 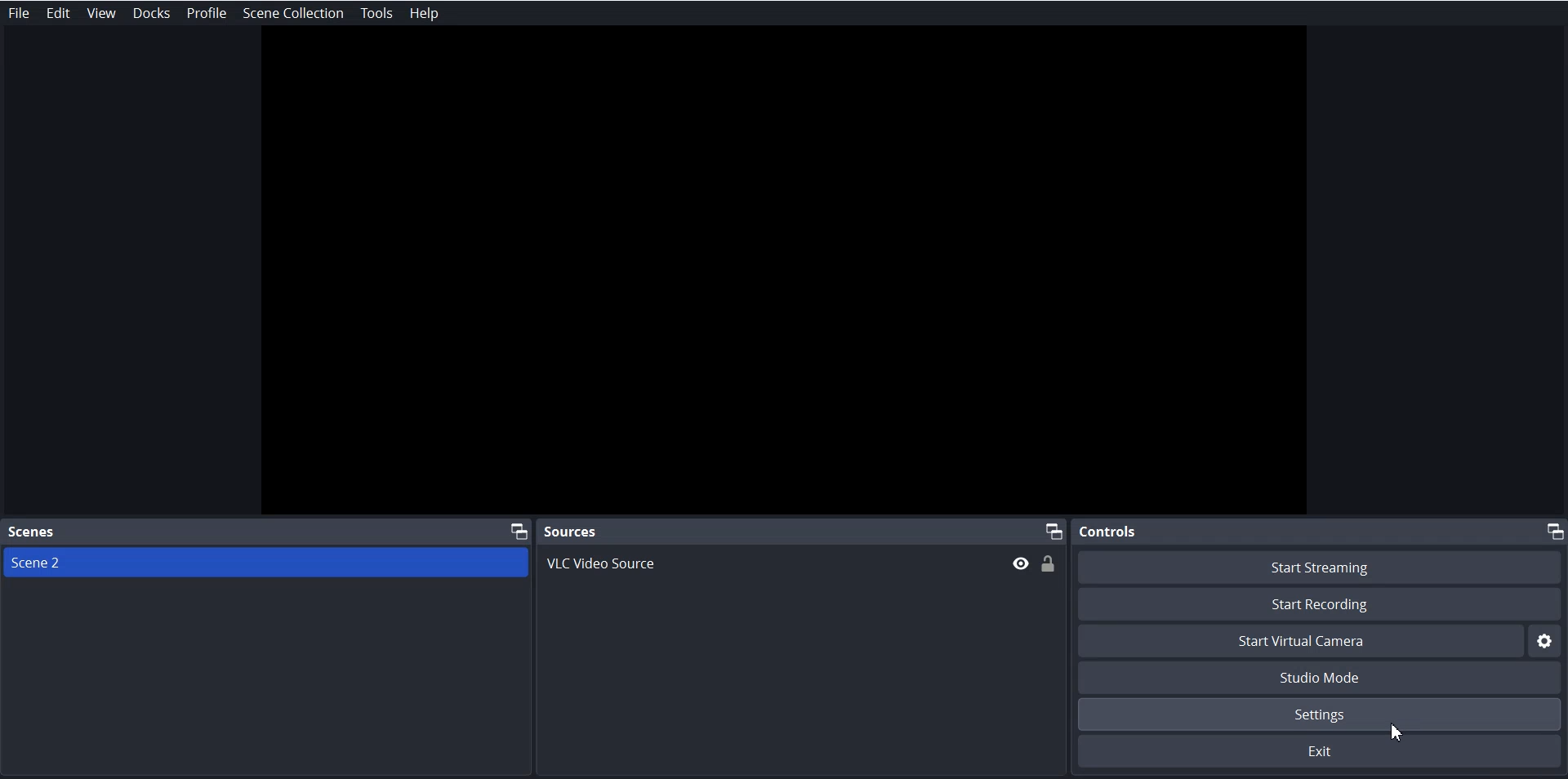 What do you see at coordinates (1399, 731) in the screenshot?
I see `cursor on Settings` at bounding box center [1399, 731].